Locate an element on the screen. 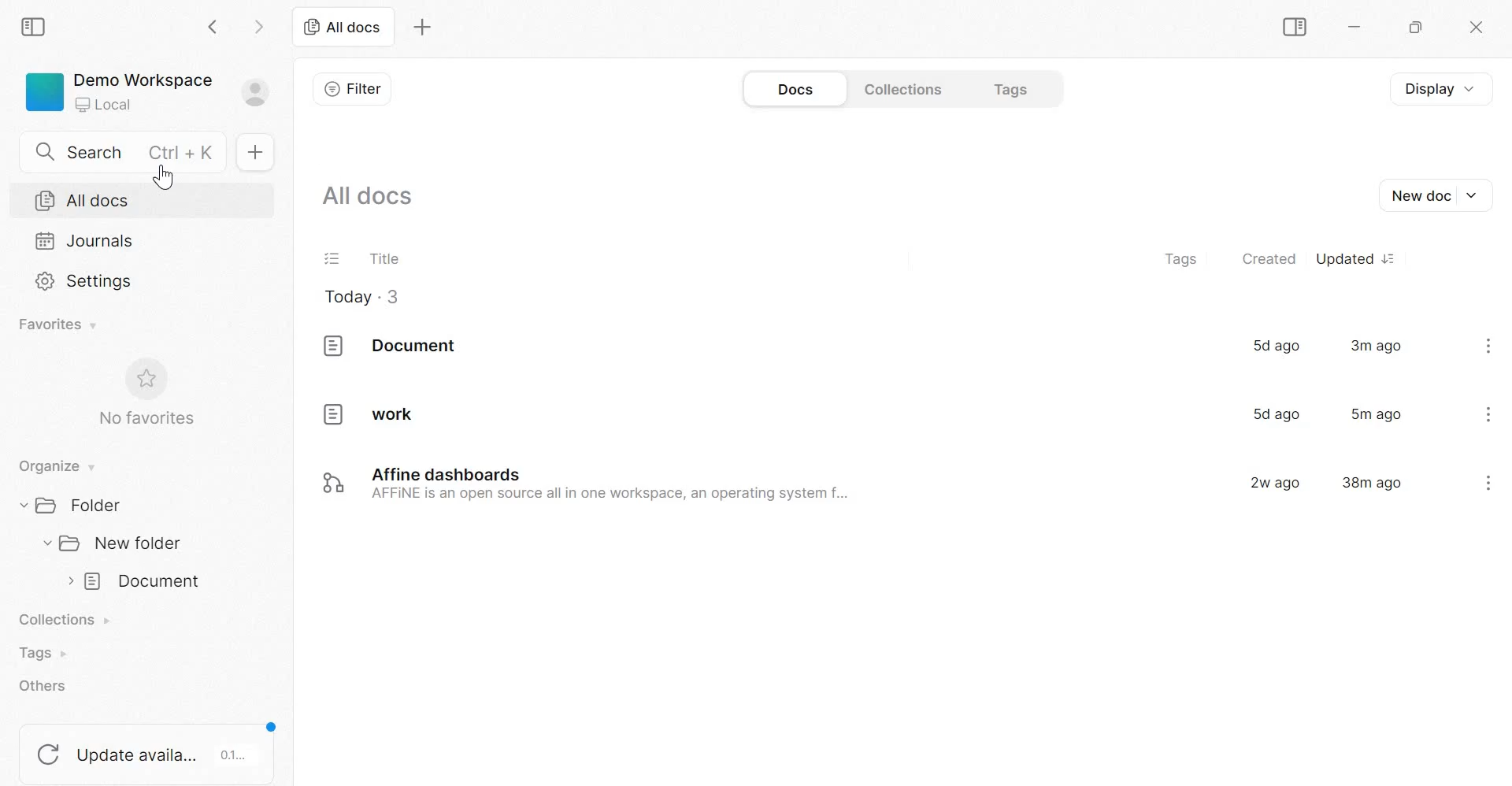 This screenshot has width=1512, height=786. Fay Affine dashboards
AFFINE is an open source all in one workspace, an operating system f... is located at coordinates (581, 483).